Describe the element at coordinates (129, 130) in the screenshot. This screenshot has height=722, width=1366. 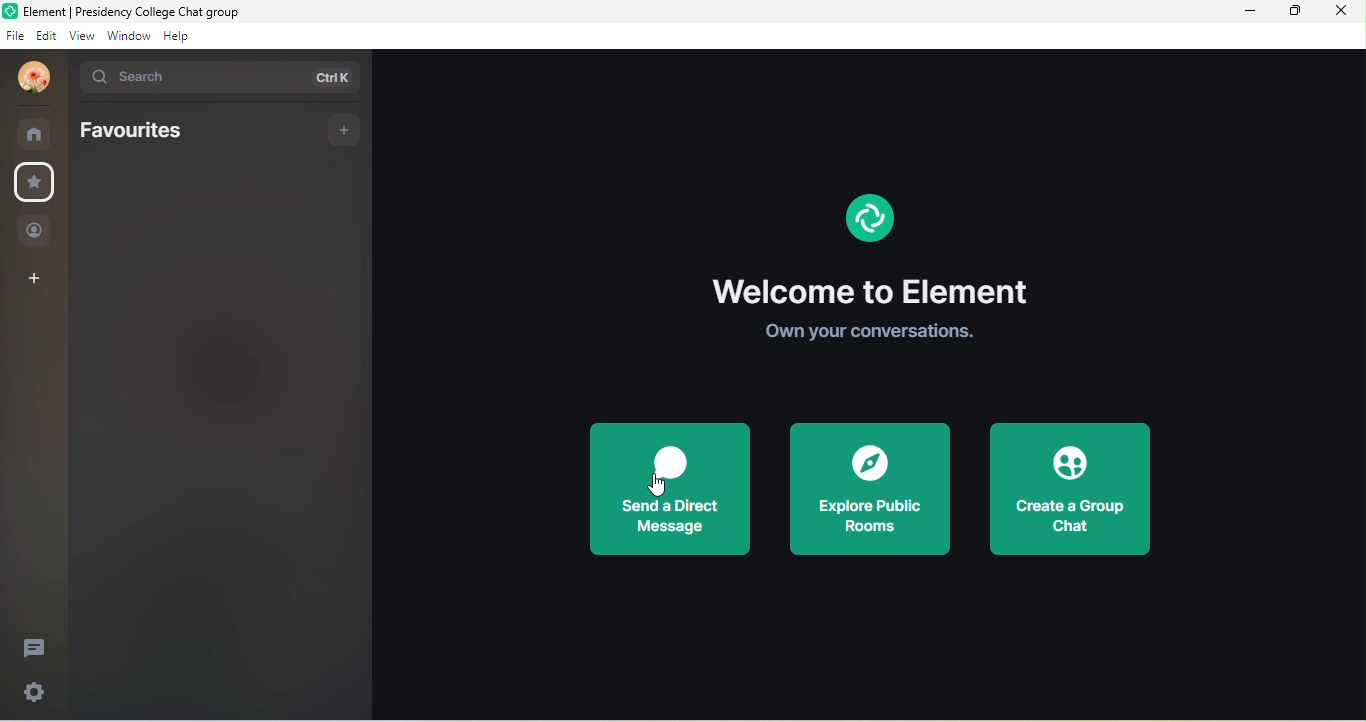
I see `favourites` at that location.